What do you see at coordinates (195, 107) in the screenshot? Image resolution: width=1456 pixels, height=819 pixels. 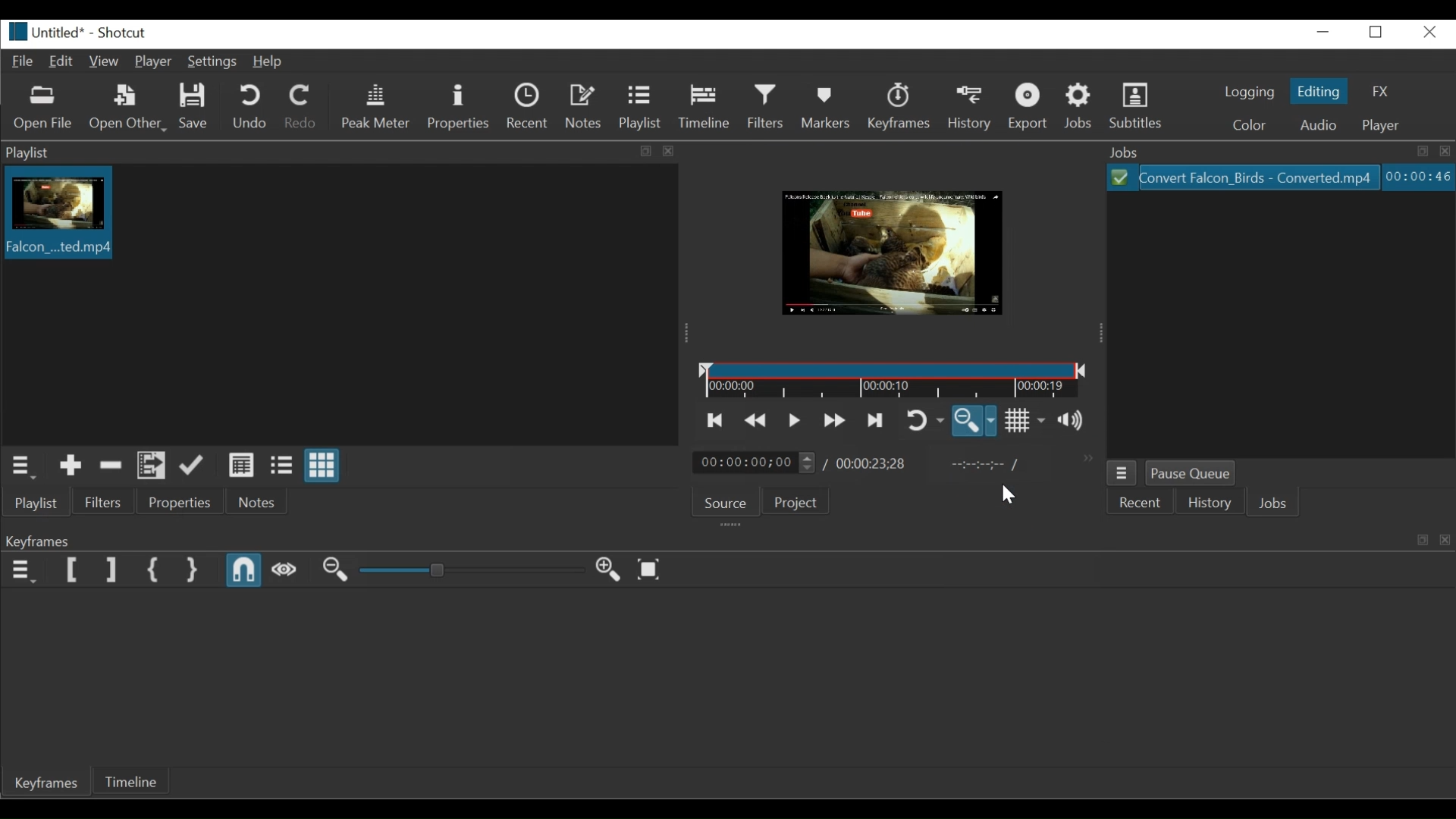 I see `Save` at bounding box center [195, 107].